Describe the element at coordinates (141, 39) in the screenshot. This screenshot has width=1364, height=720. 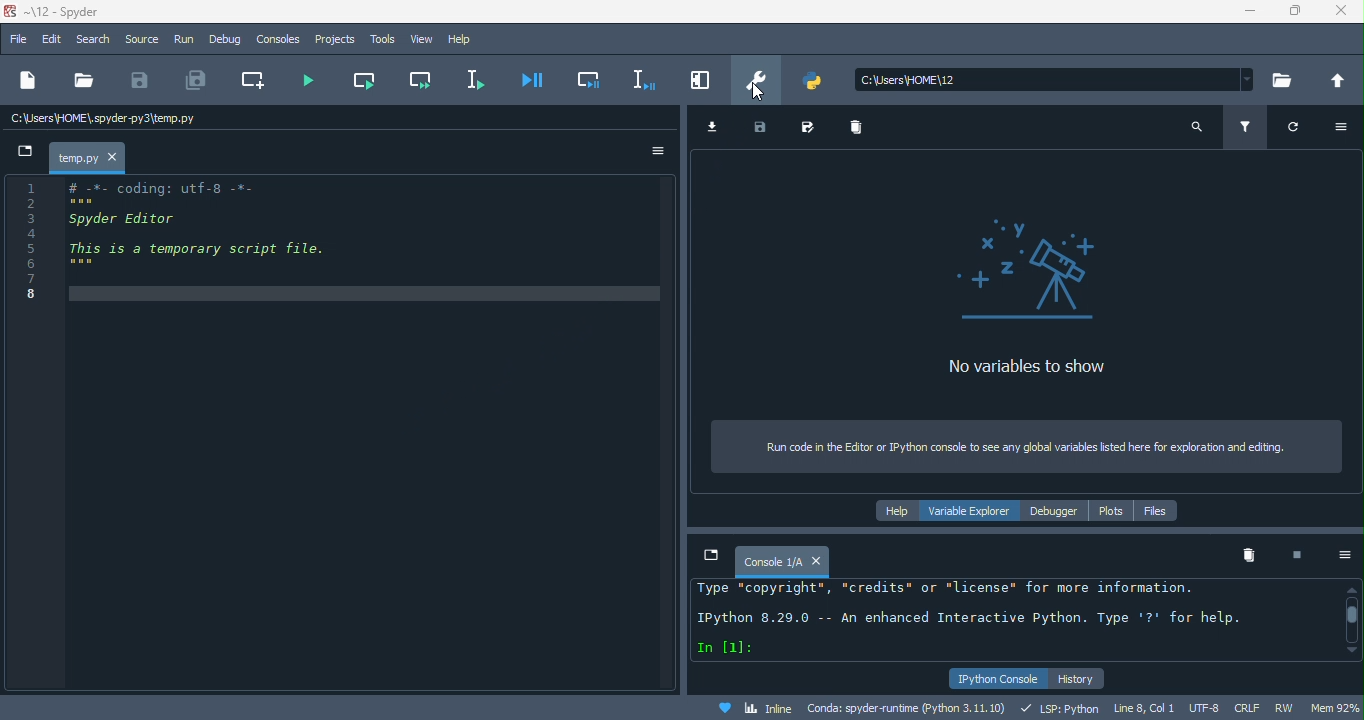
I see `source` at that location.